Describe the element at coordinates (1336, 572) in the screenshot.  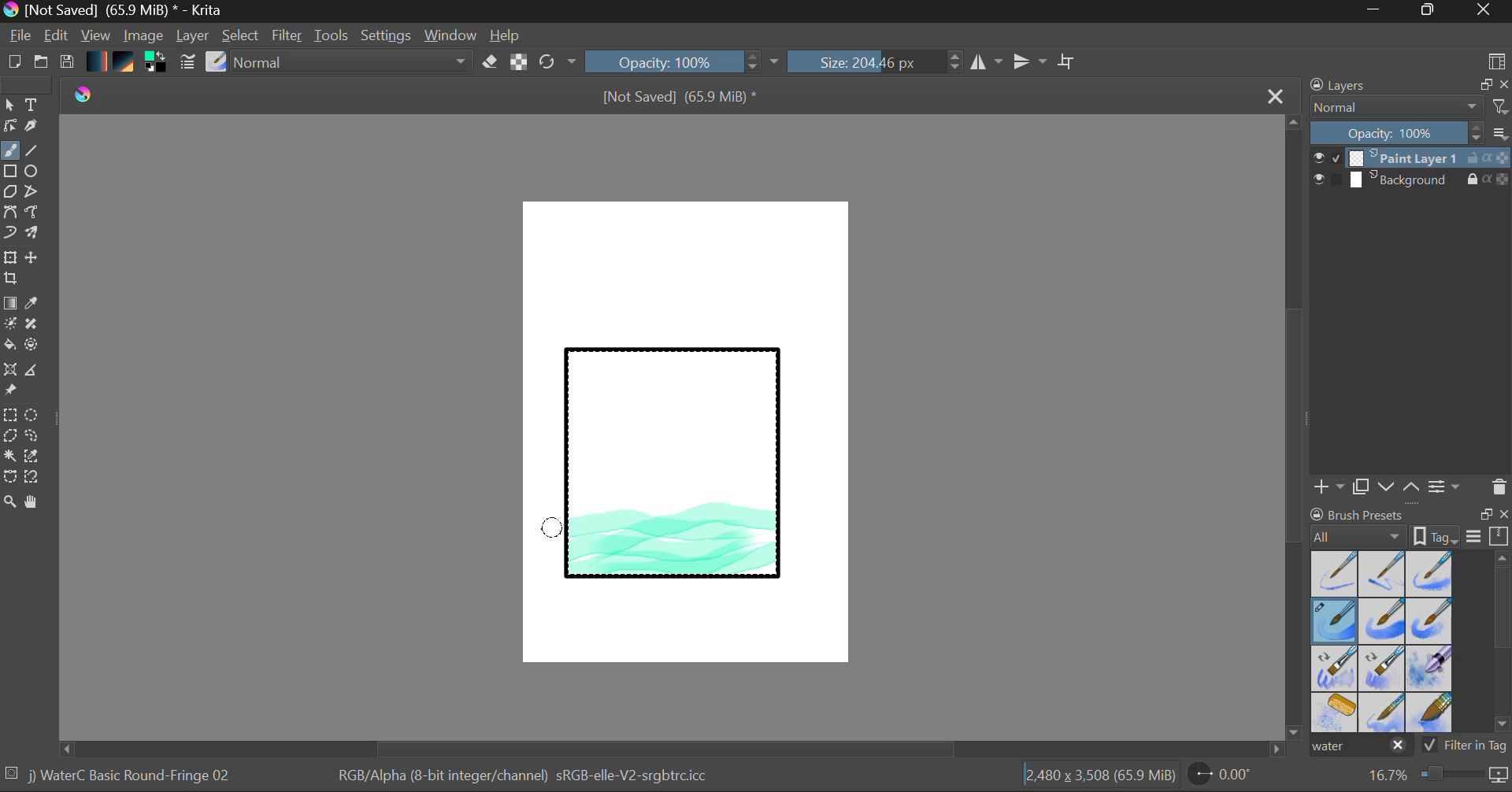
I see `Water C - Dry` at that location.